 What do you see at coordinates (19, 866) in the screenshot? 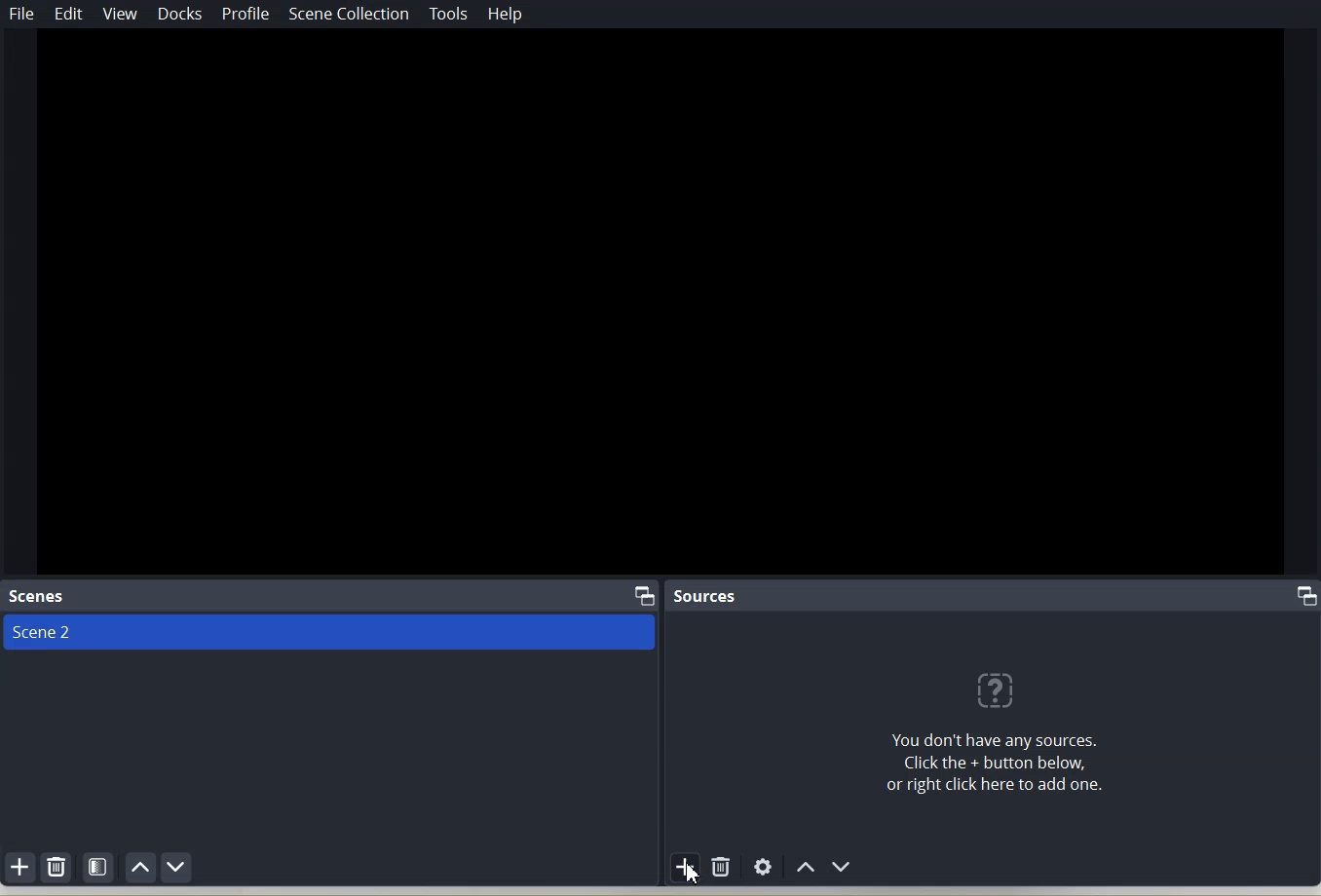
I see `Add Scene` at bounding box center [19, 866].